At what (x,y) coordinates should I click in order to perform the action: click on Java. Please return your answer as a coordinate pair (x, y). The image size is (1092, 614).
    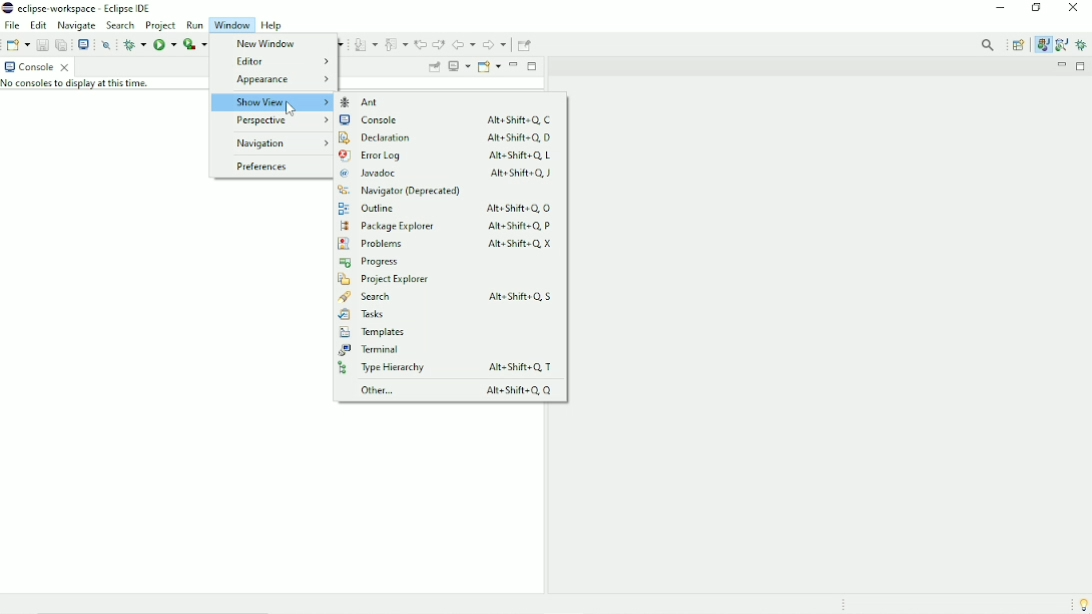
    Looking at the image, I should click on (1043, 45).